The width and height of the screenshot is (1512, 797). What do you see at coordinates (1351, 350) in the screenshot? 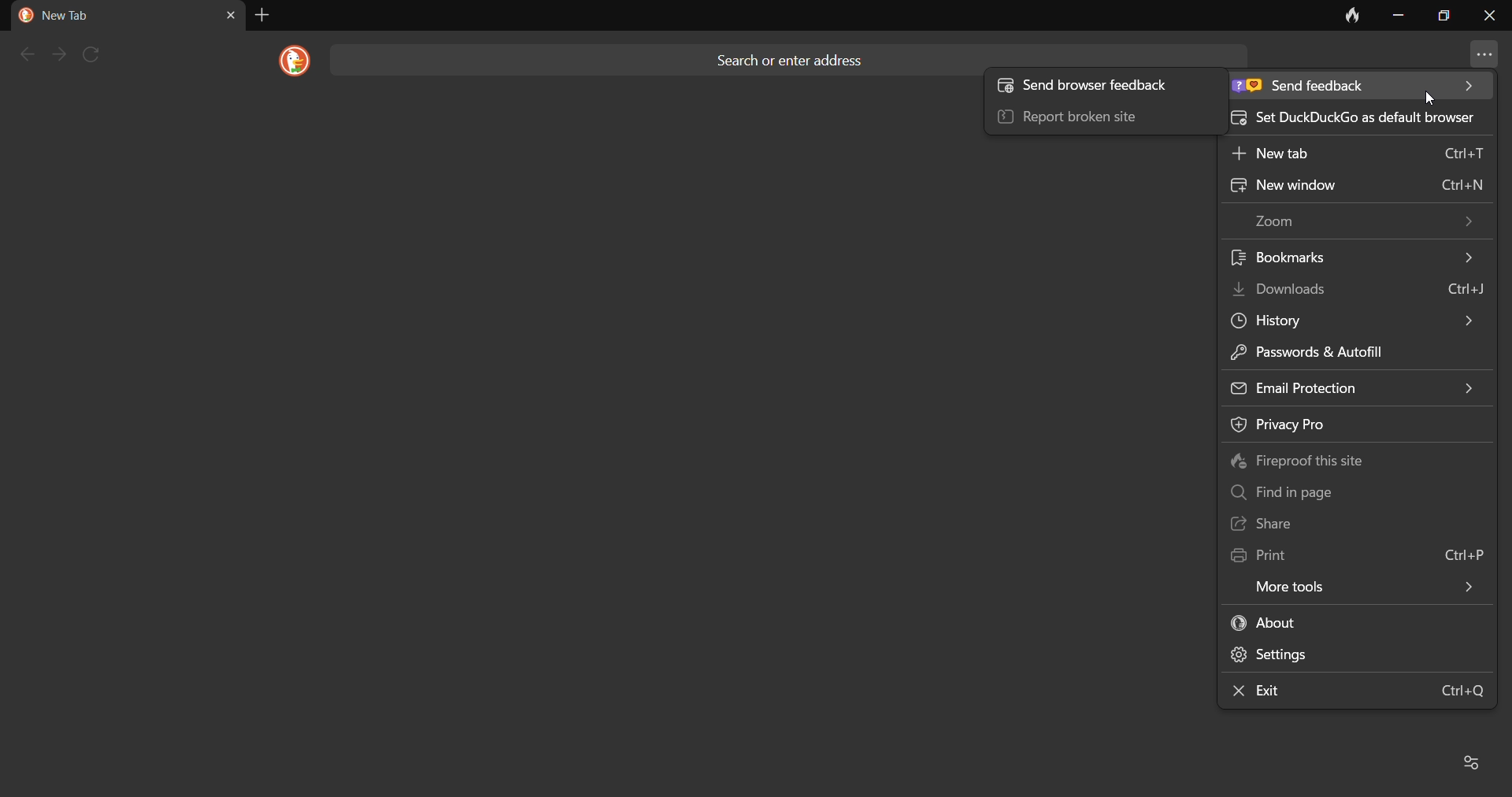
I see `passwords & autofill` at bounding box center [1351, 350].